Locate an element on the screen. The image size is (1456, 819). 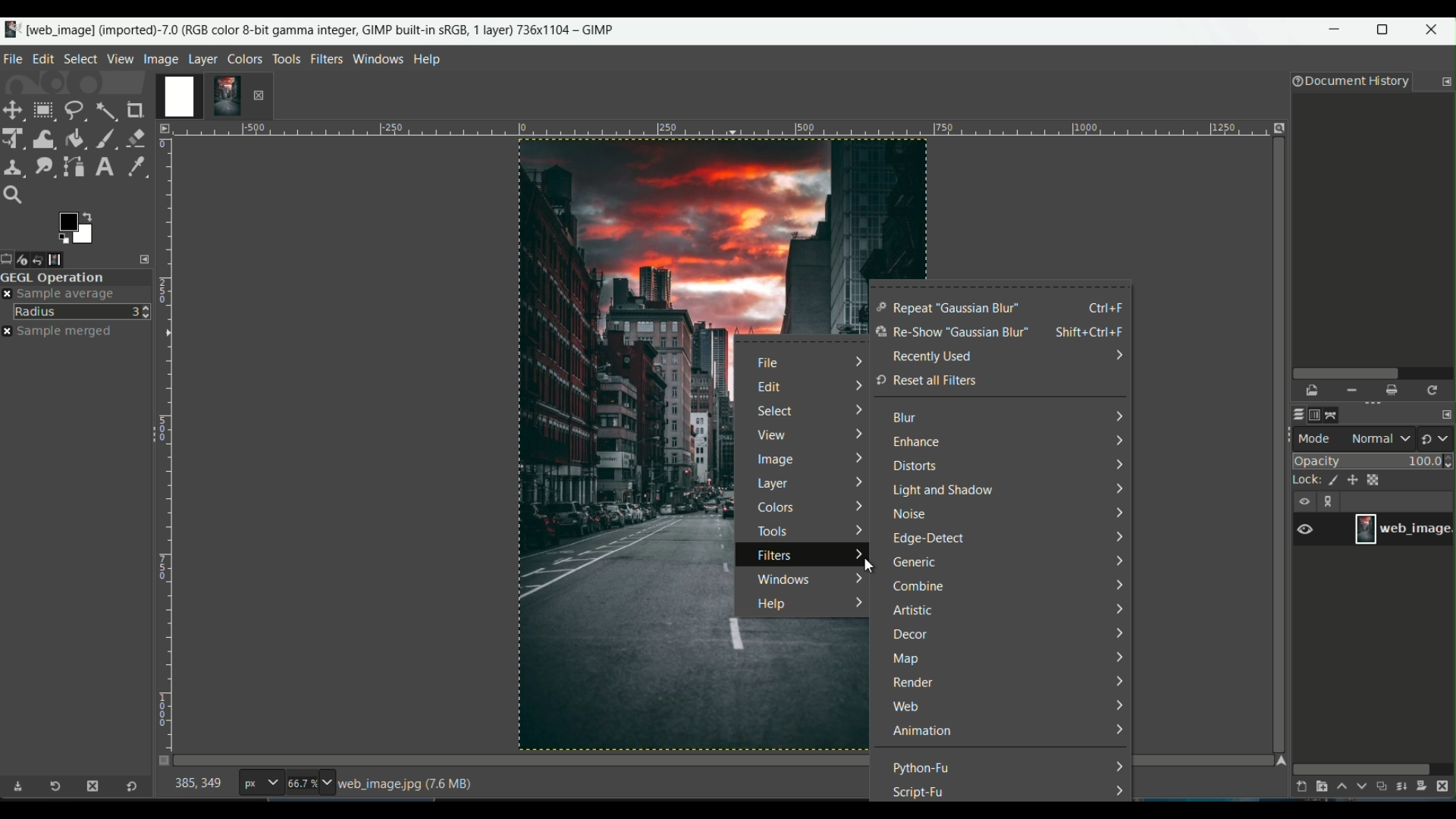
help is located at coordinates (768, 605).